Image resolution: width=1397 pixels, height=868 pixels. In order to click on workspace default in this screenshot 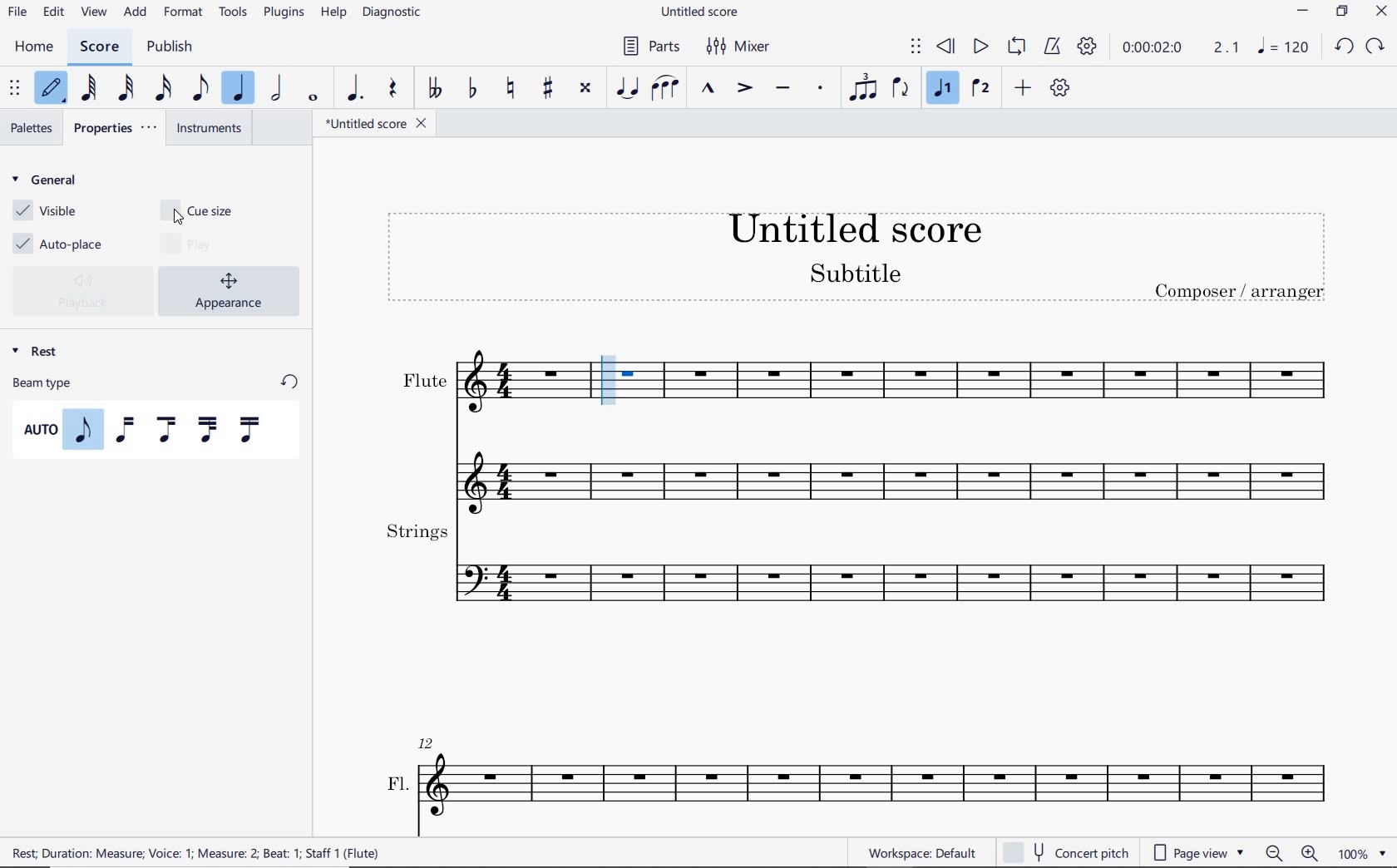, I will do `click(921, 853)`.